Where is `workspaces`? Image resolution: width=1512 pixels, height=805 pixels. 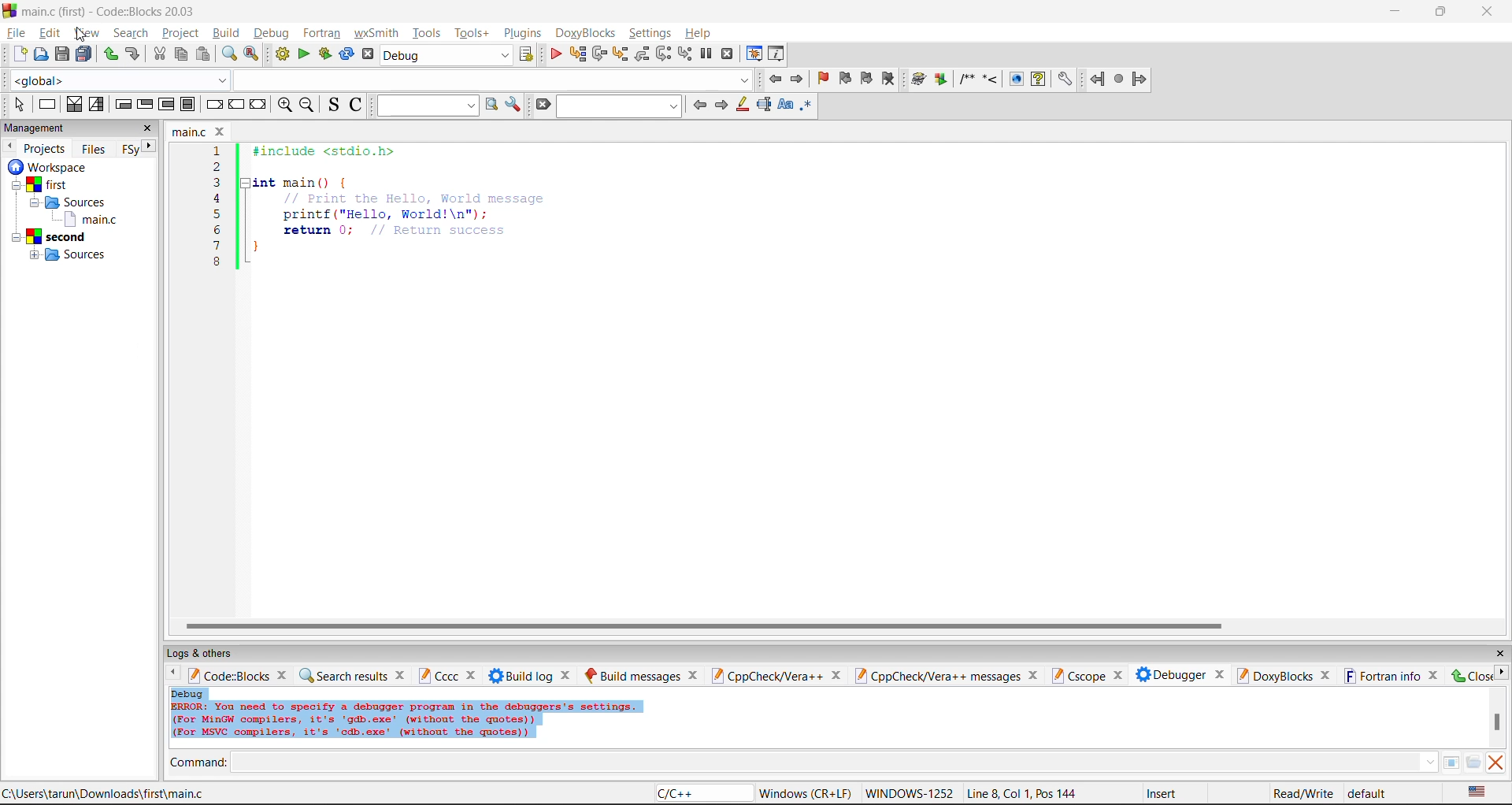
workspaces is located at coordinates (50, 168).